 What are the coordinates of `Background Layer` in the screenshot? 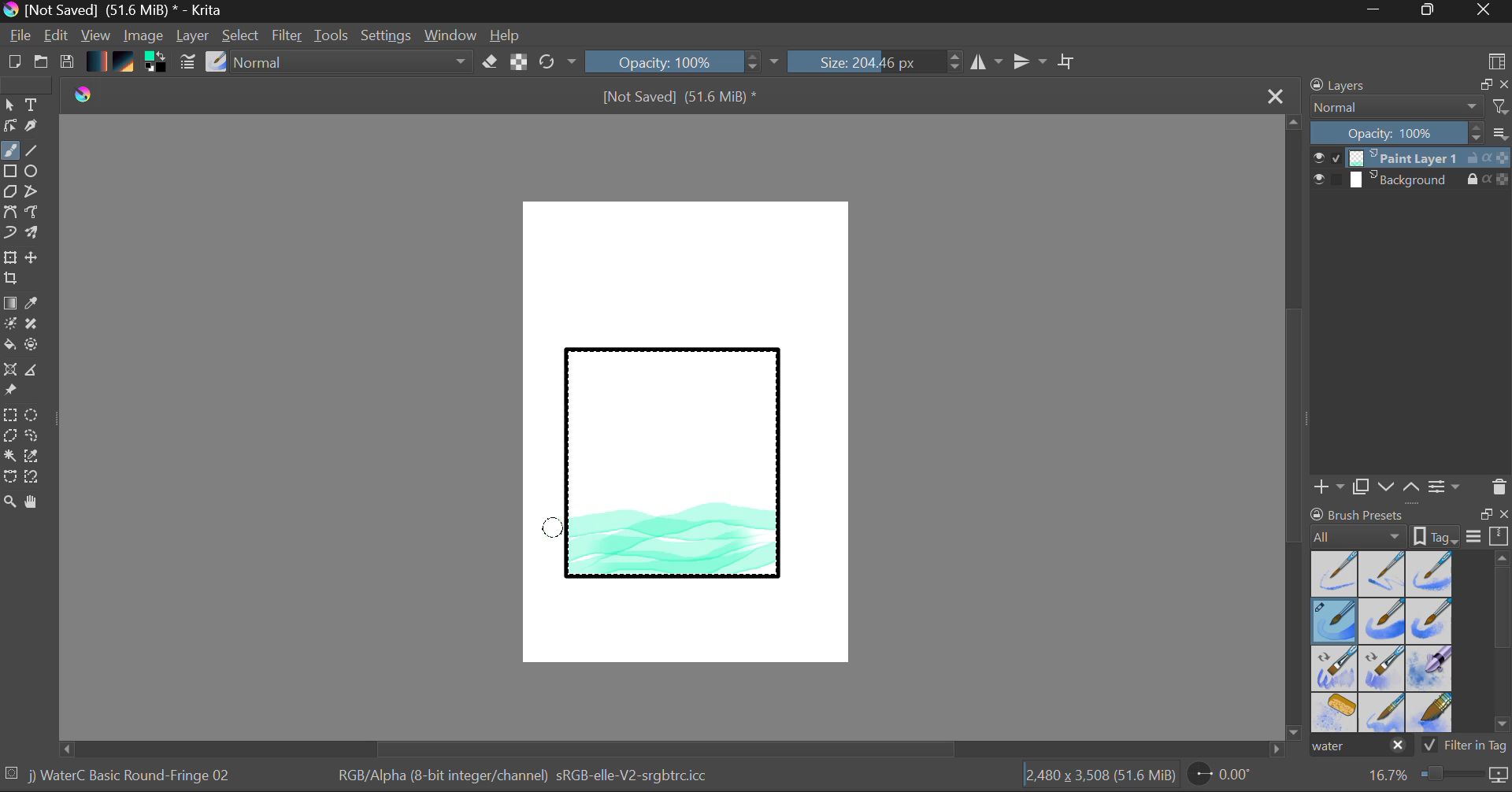 It's located at (1411, 180).